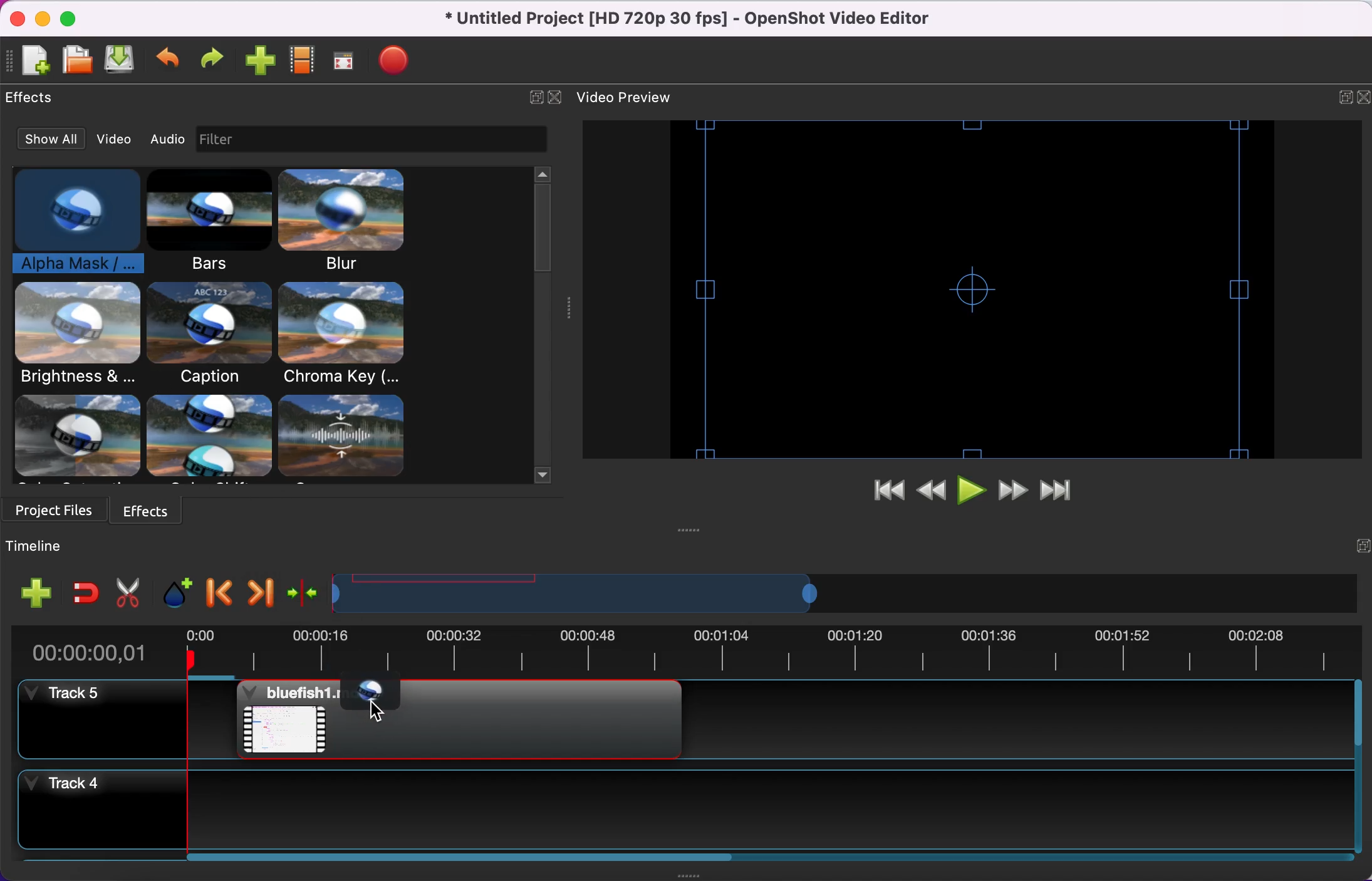  I want to click on bars, so click(204, 222).